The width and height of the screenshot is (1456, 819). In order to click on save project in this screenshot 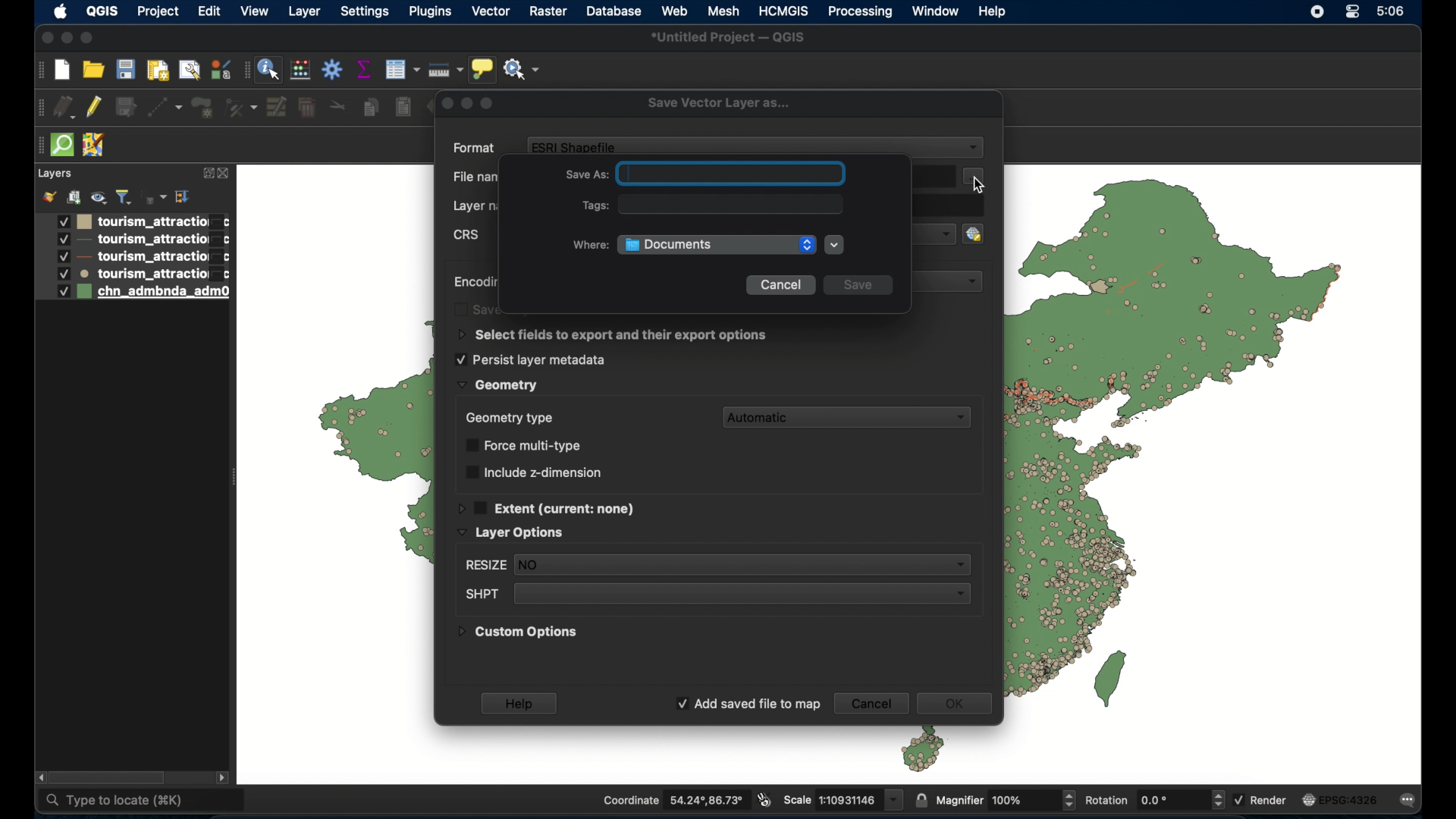, I will do `click(125, 69)`.